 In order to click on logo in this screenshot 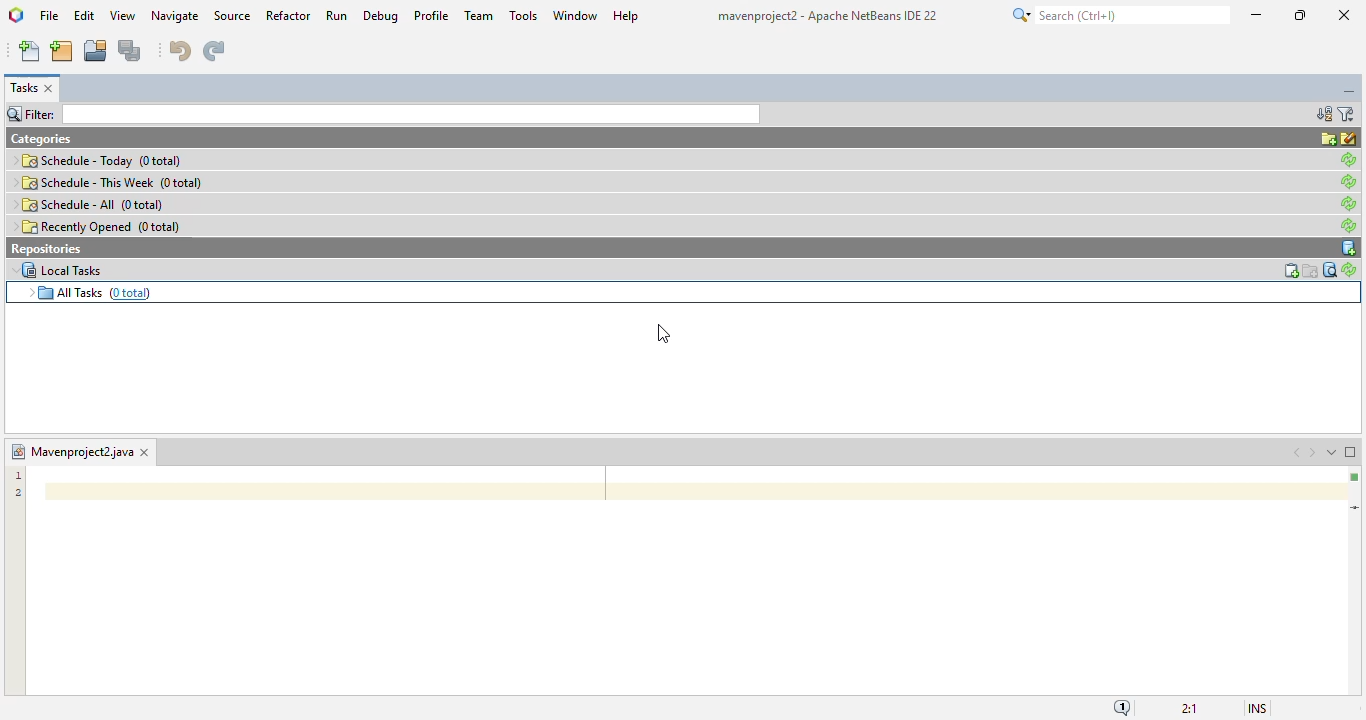, I will do `click(16, 15)`.